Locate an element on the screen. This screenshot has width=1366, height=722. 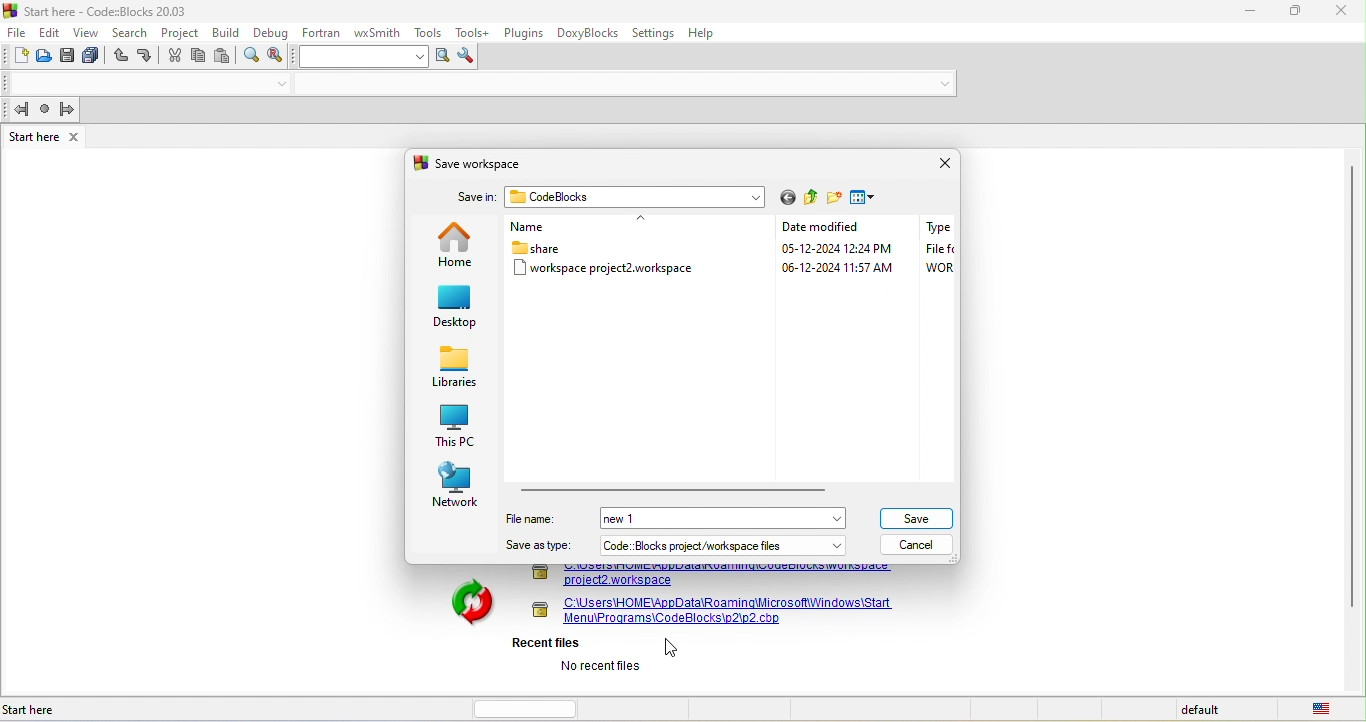
build is located at coordinates (226, 32).